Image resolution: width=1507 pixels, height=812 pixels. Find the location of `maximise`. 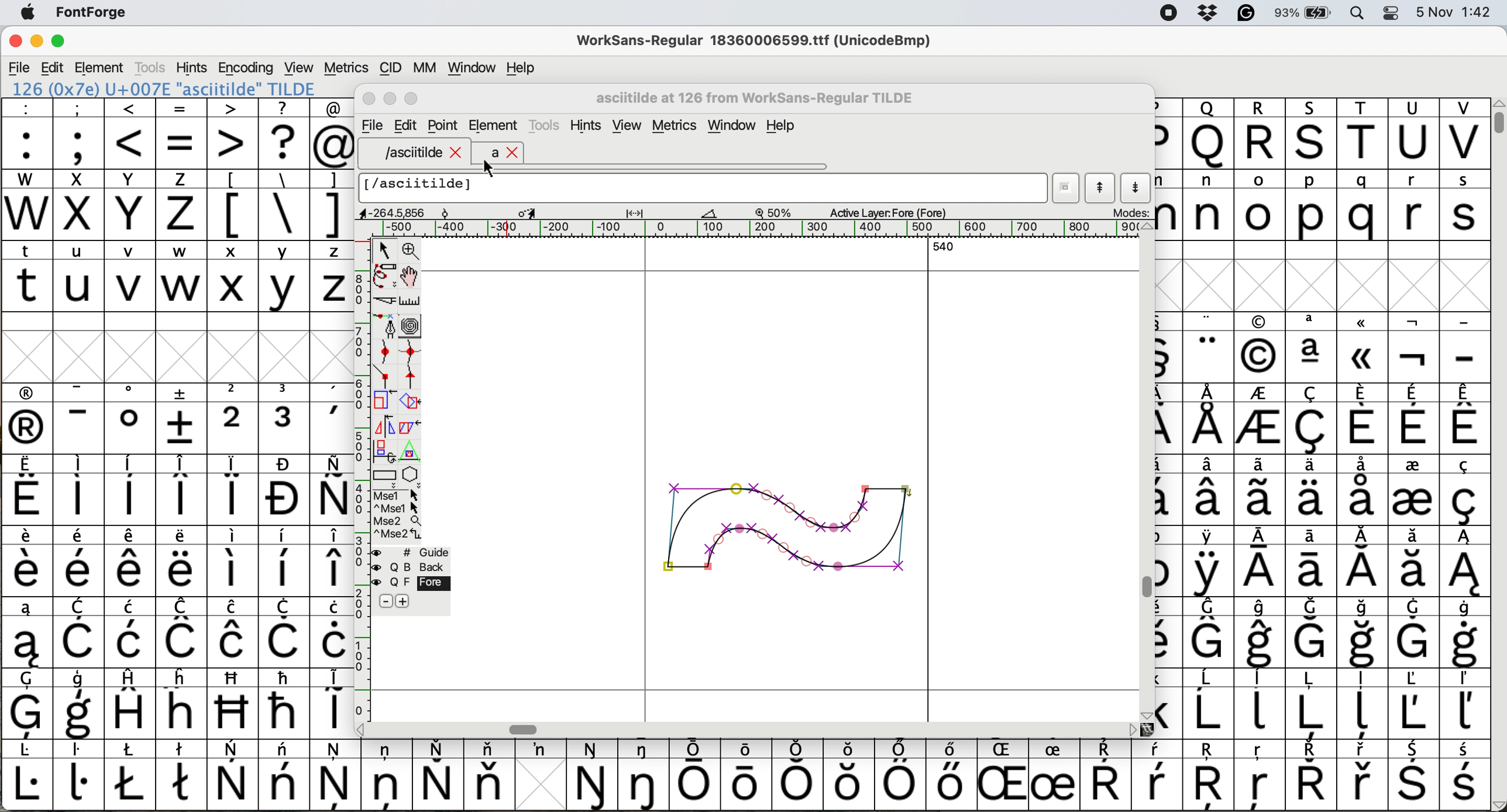

maximise is located at coordinates (59, 44).